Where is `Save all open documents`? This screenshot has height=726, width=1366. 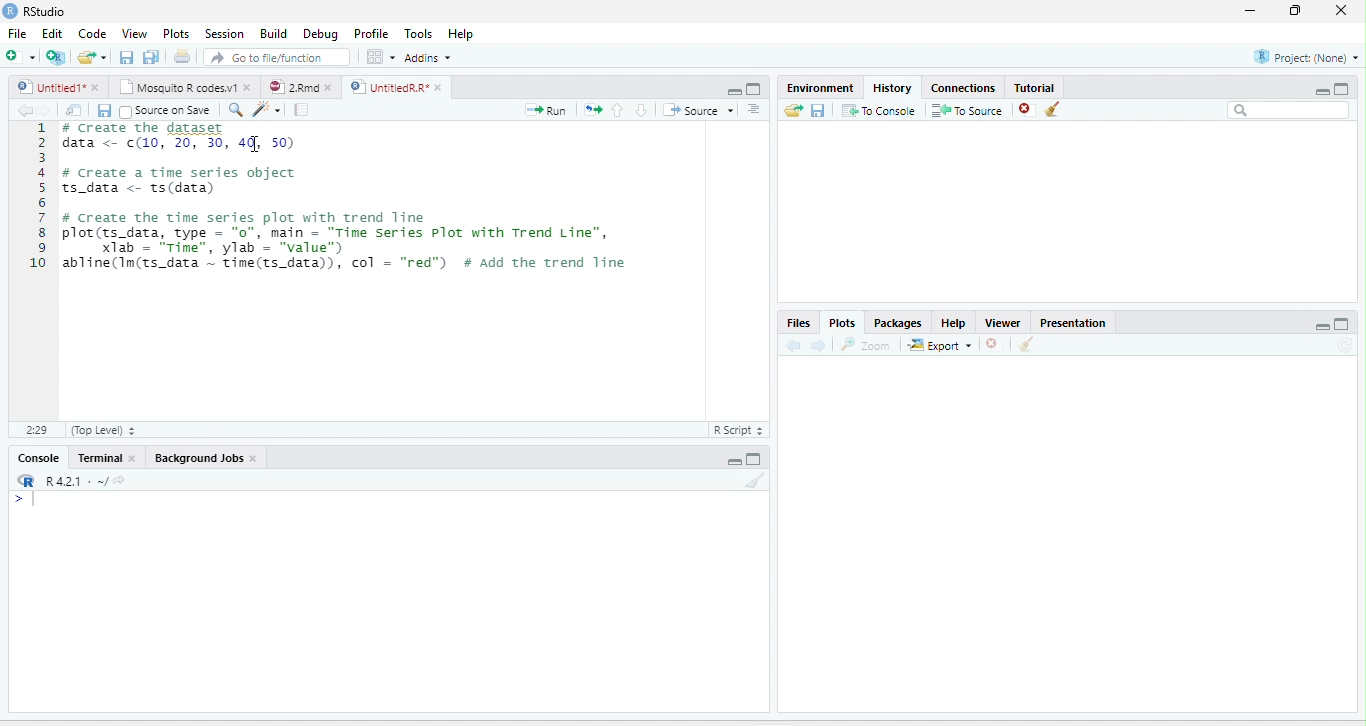
Save all open documents is located at coordinates (151, 56).